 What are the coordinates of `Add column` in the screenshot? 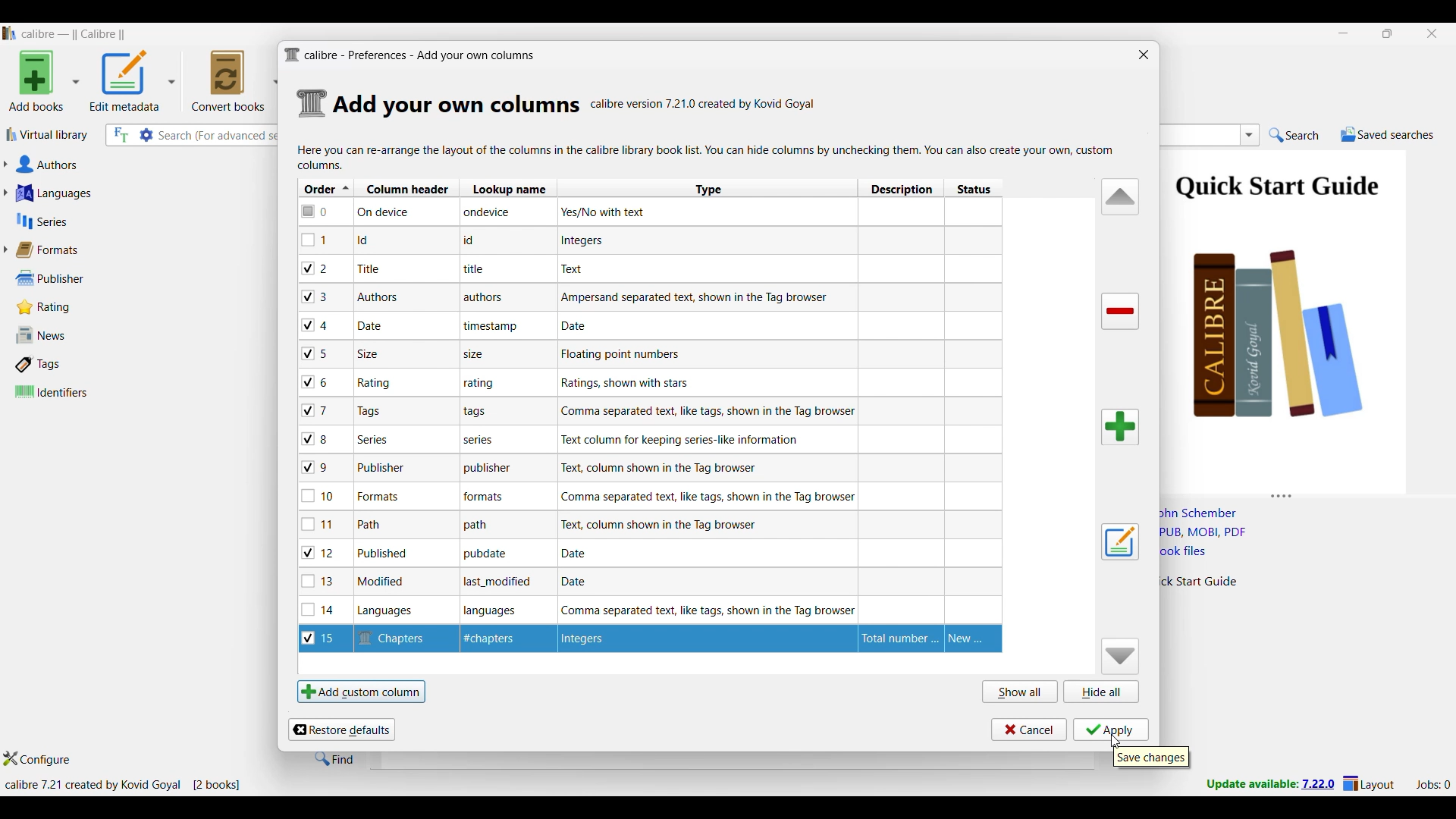 It's located at (1120, 427).